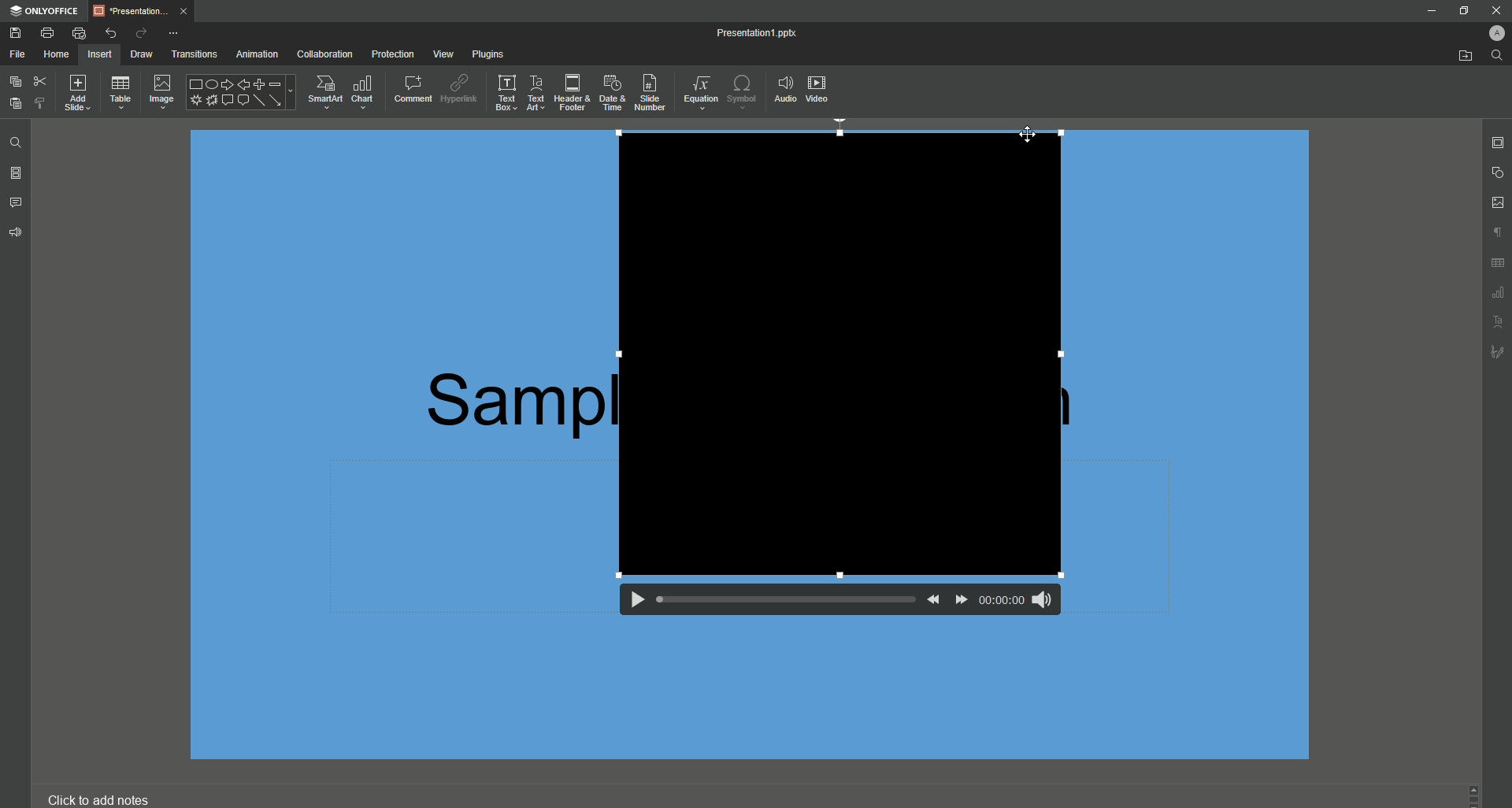 This screenshot has width=1512, height=808. Describe the element at coordinates (535, 93) in the screenshot. I see `Text Art` at that location.